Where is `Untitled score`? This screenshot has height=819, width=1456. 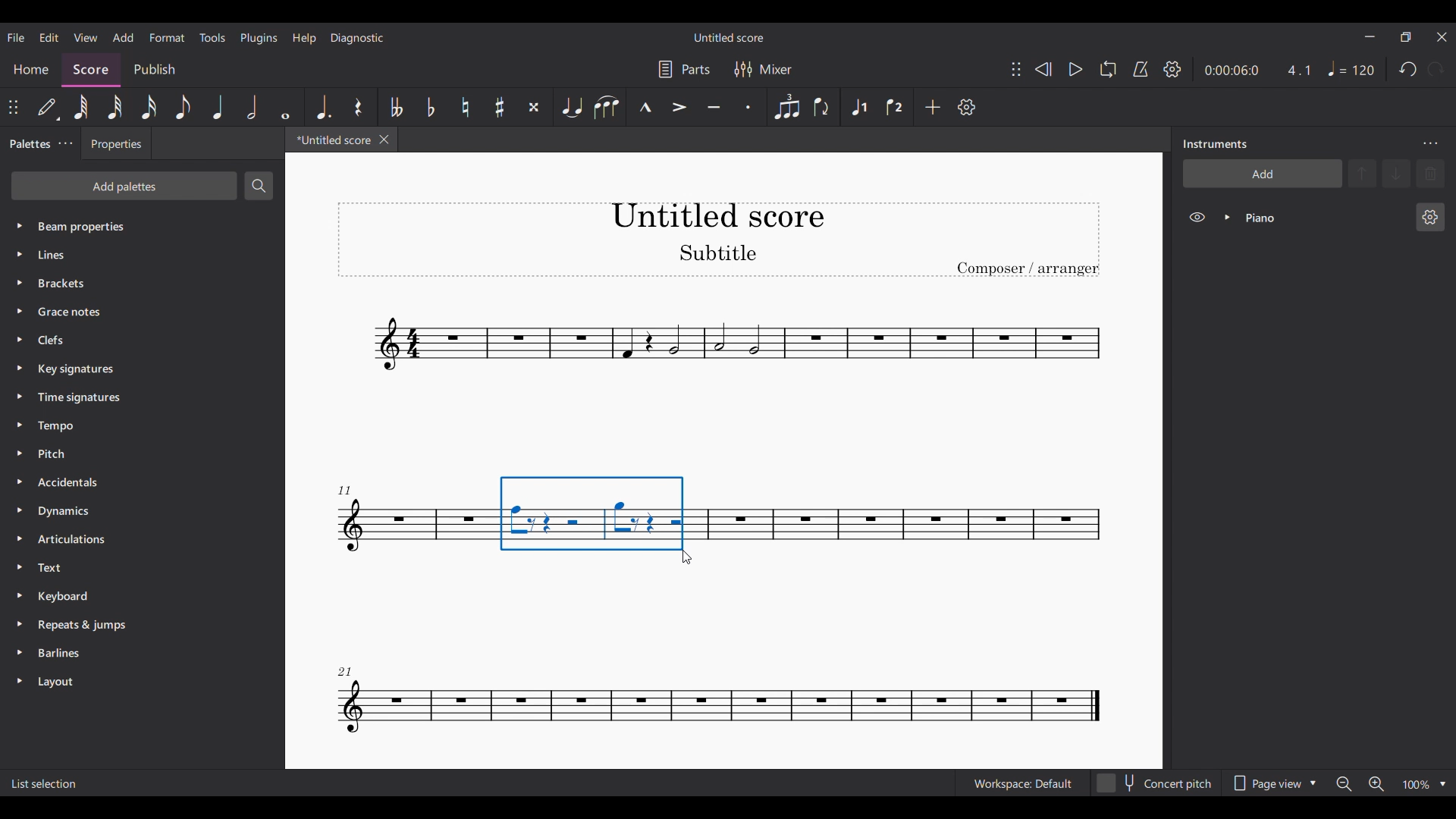 Untitled score is located at coordinates (728, 37).